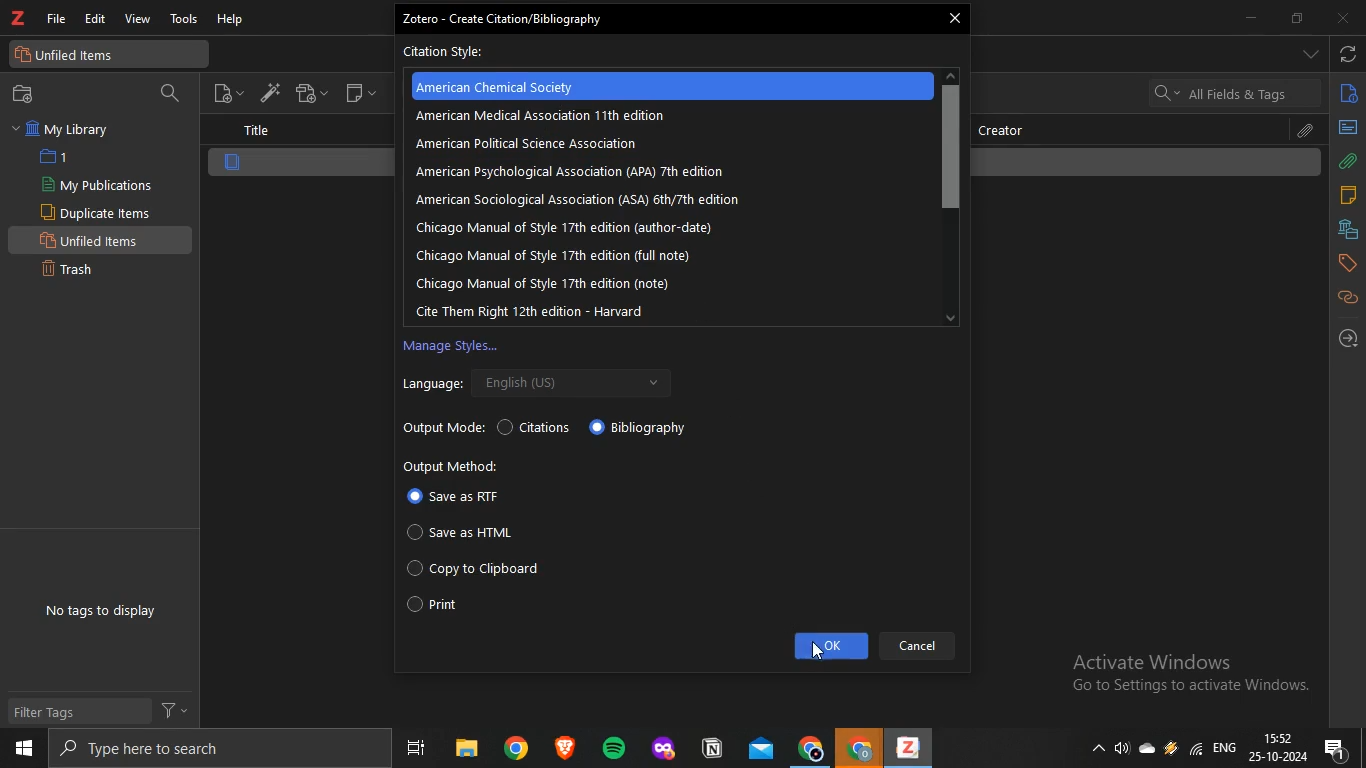 This screenshot has width=1366, height=768. What do you see at coordinates (58, 157) in the screenshot?
I see `1` at bounding box center [58, 157].